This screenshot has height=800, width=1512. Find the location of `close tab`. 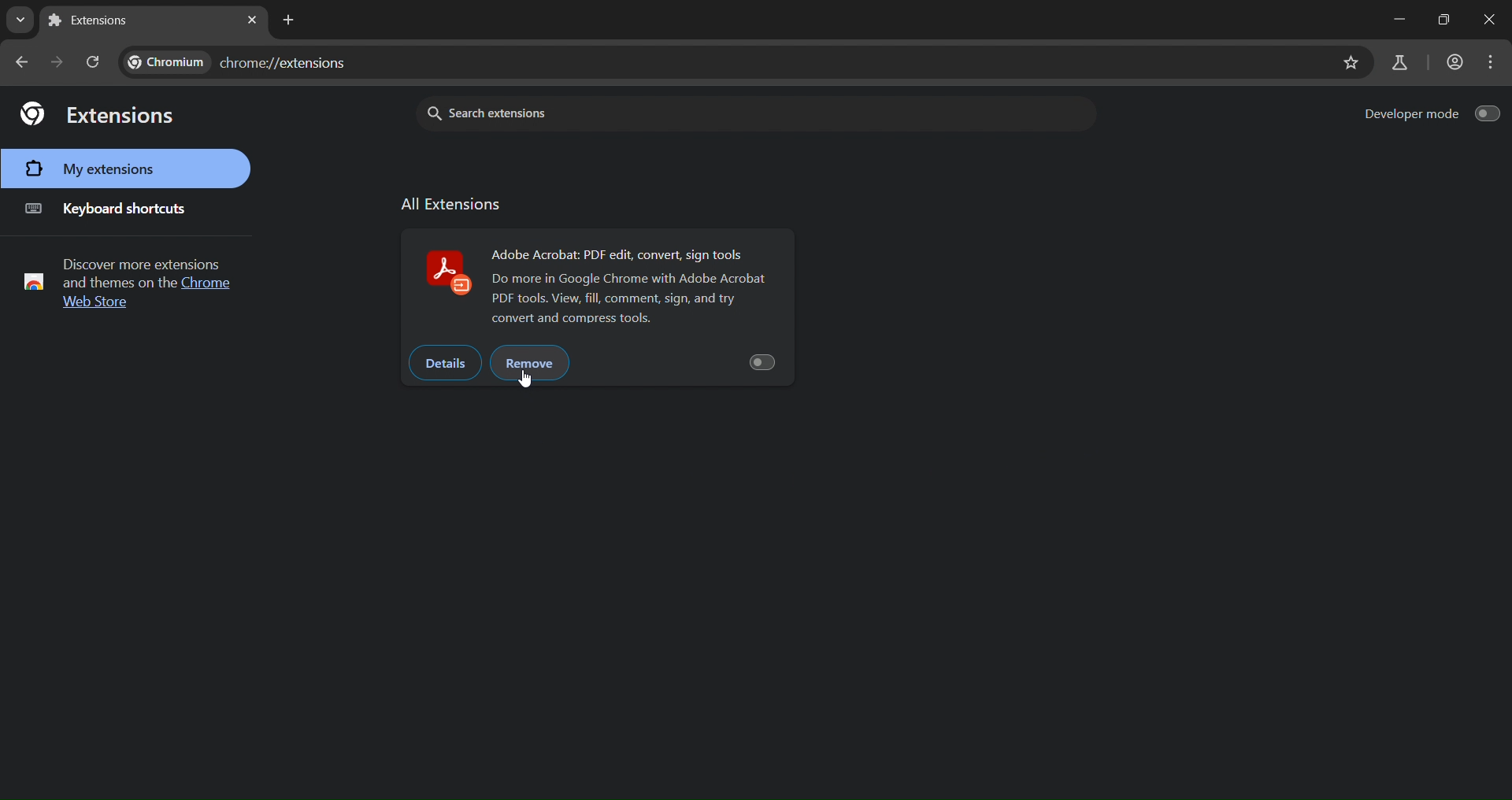

close tab is located at coordinates (252, 20).